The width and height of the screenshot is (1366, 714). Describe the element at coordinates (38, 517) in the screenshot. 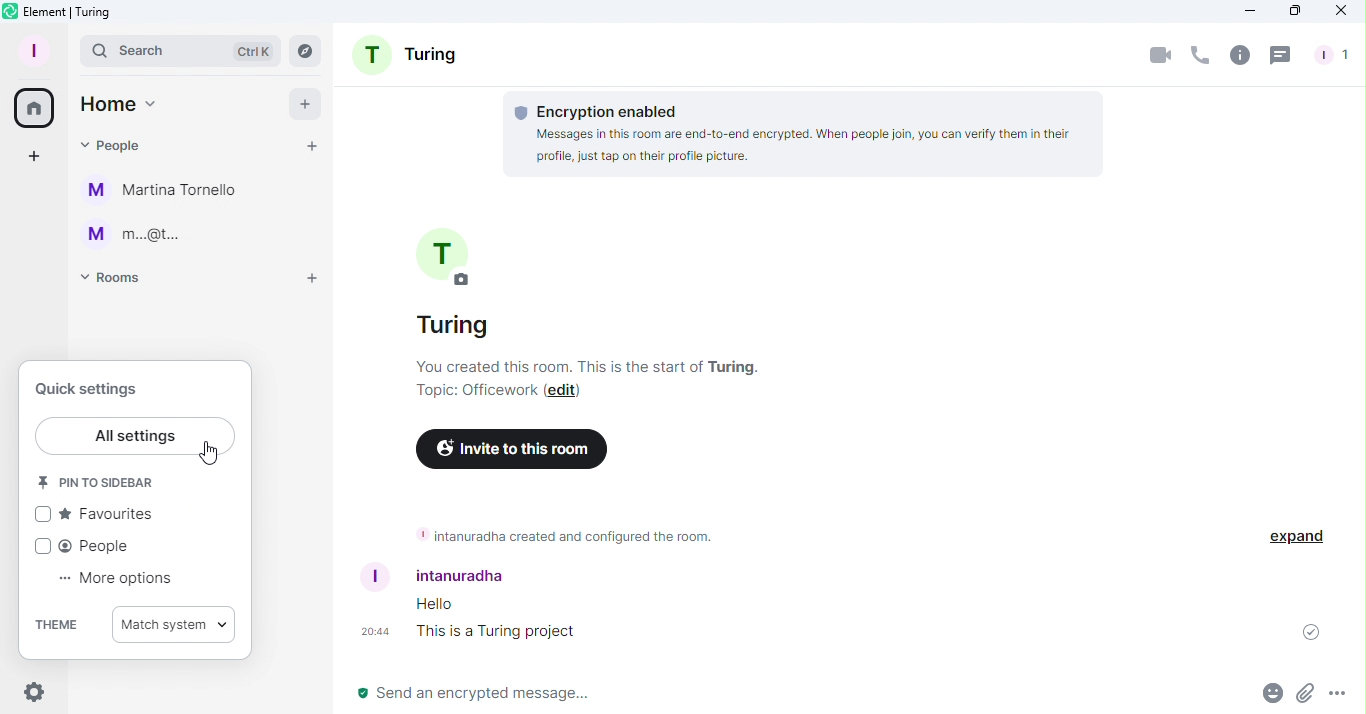

I see `checkbox` at that location.